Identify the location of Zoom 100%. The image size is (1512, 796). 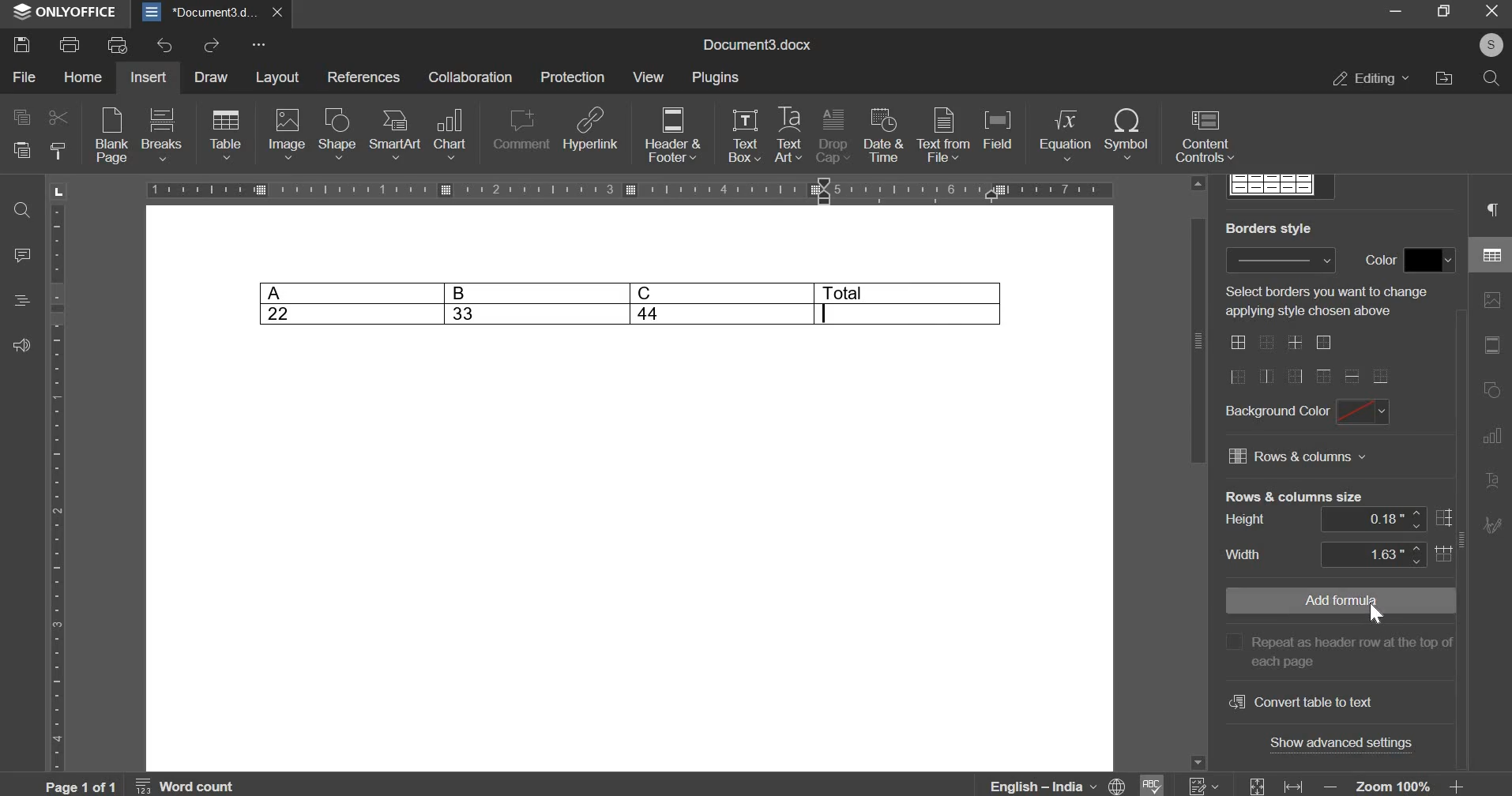
(1394, 785).